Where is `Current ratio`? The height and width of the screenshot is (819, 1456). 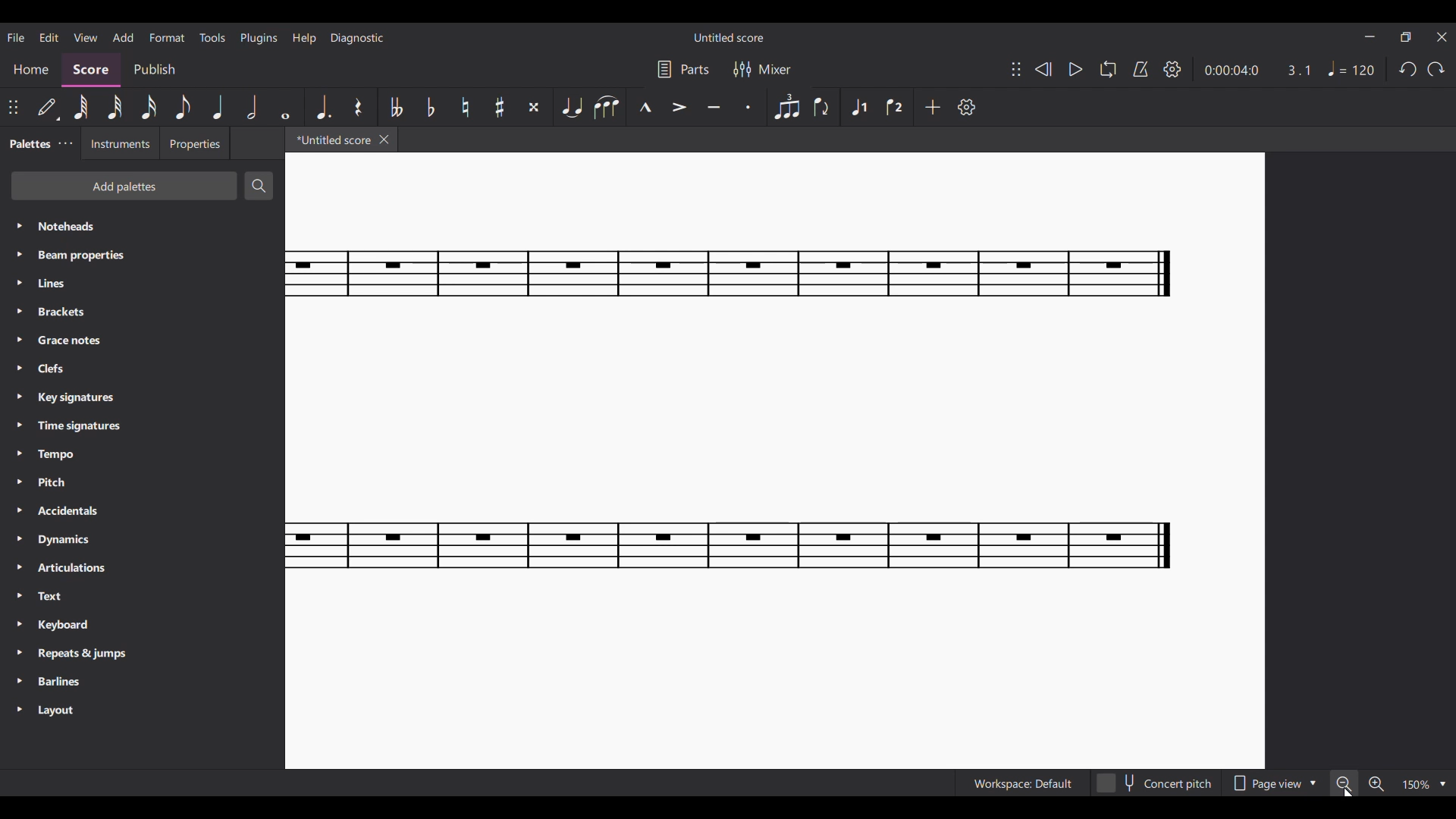 Current ratio is located at coordinates (1298, 70).